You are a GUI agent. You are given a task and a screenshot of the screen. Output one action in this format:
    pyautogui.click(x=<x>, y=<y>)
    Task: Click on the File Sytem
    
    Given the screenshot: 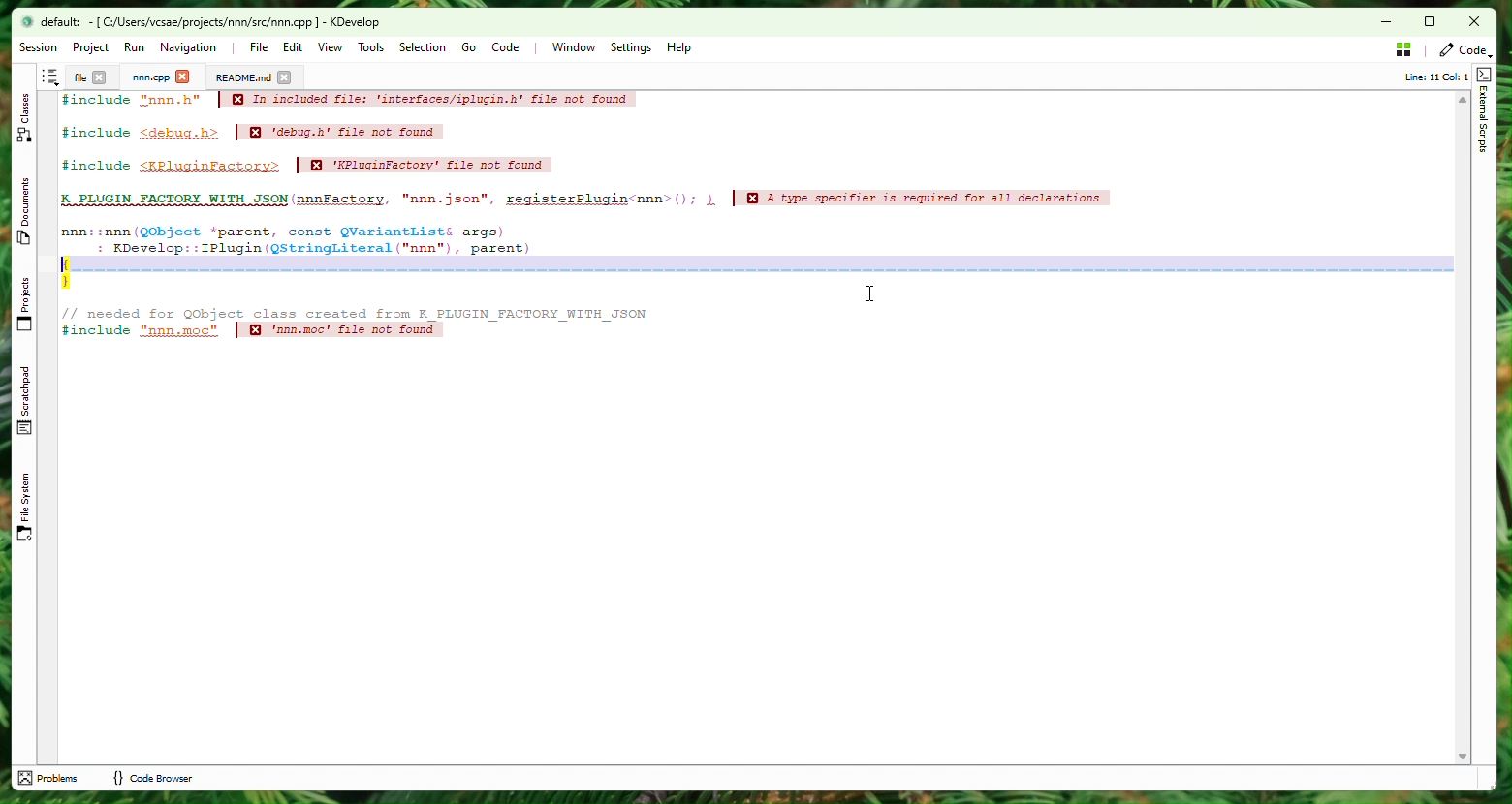 What is the action you would take?
    pyautogui.click(x=27, y=509)
    